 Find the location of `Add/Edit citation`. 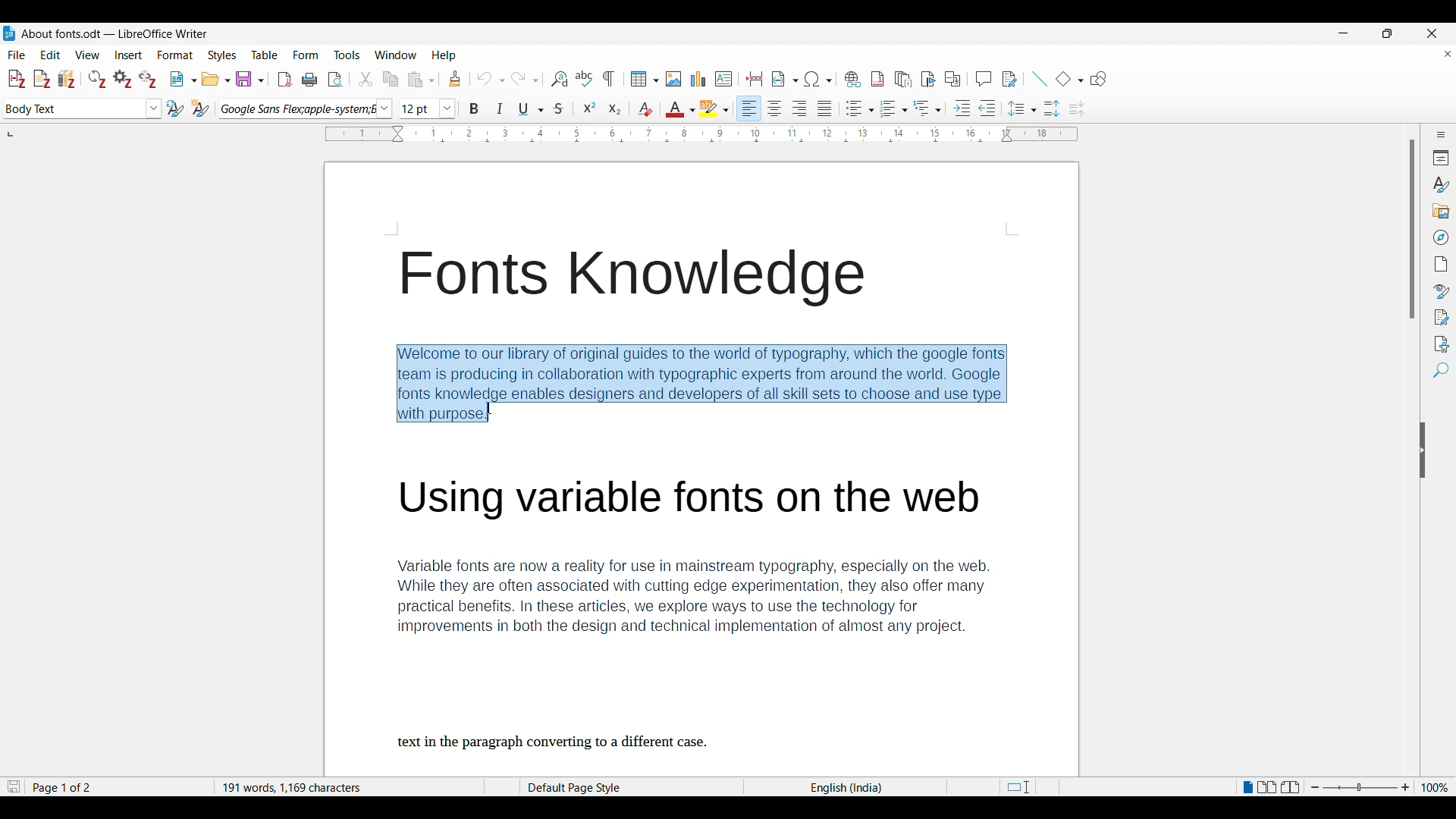

Add/Edit citation is located at coordinates (17, 79).